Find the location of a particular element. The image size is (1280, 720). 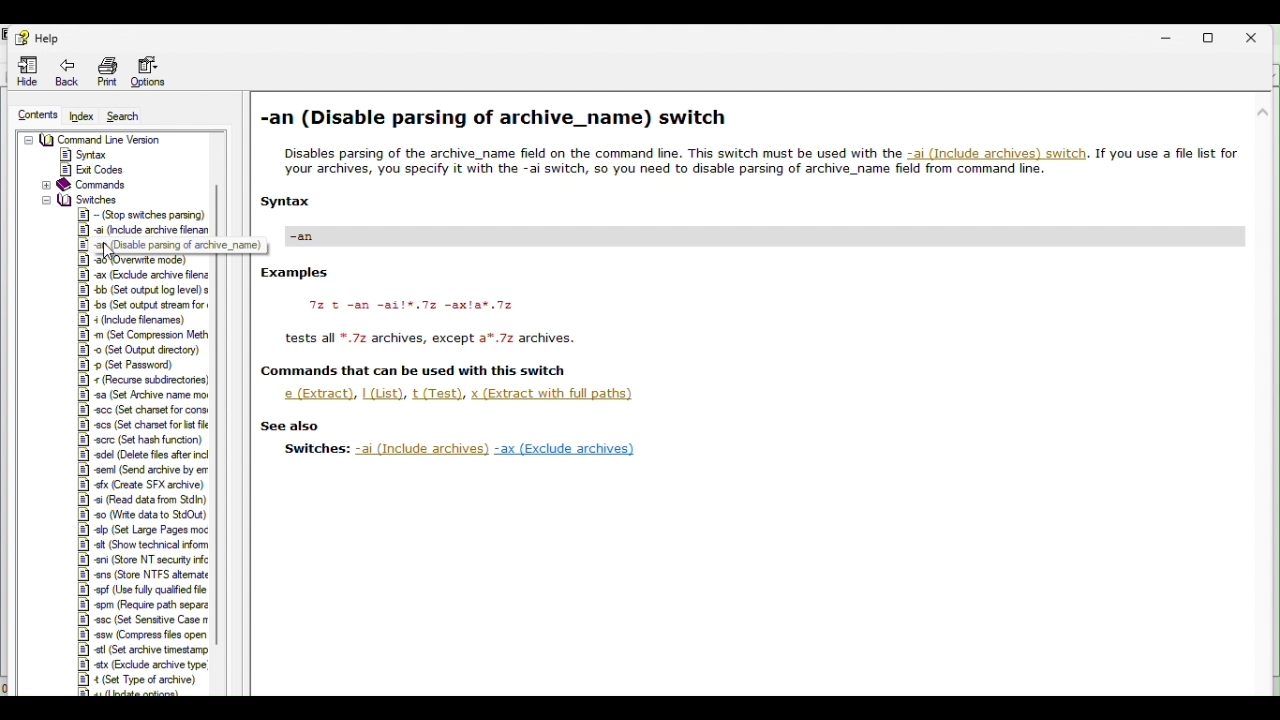

|#] secre (Set hash function) is located at coordinates (142, 440).